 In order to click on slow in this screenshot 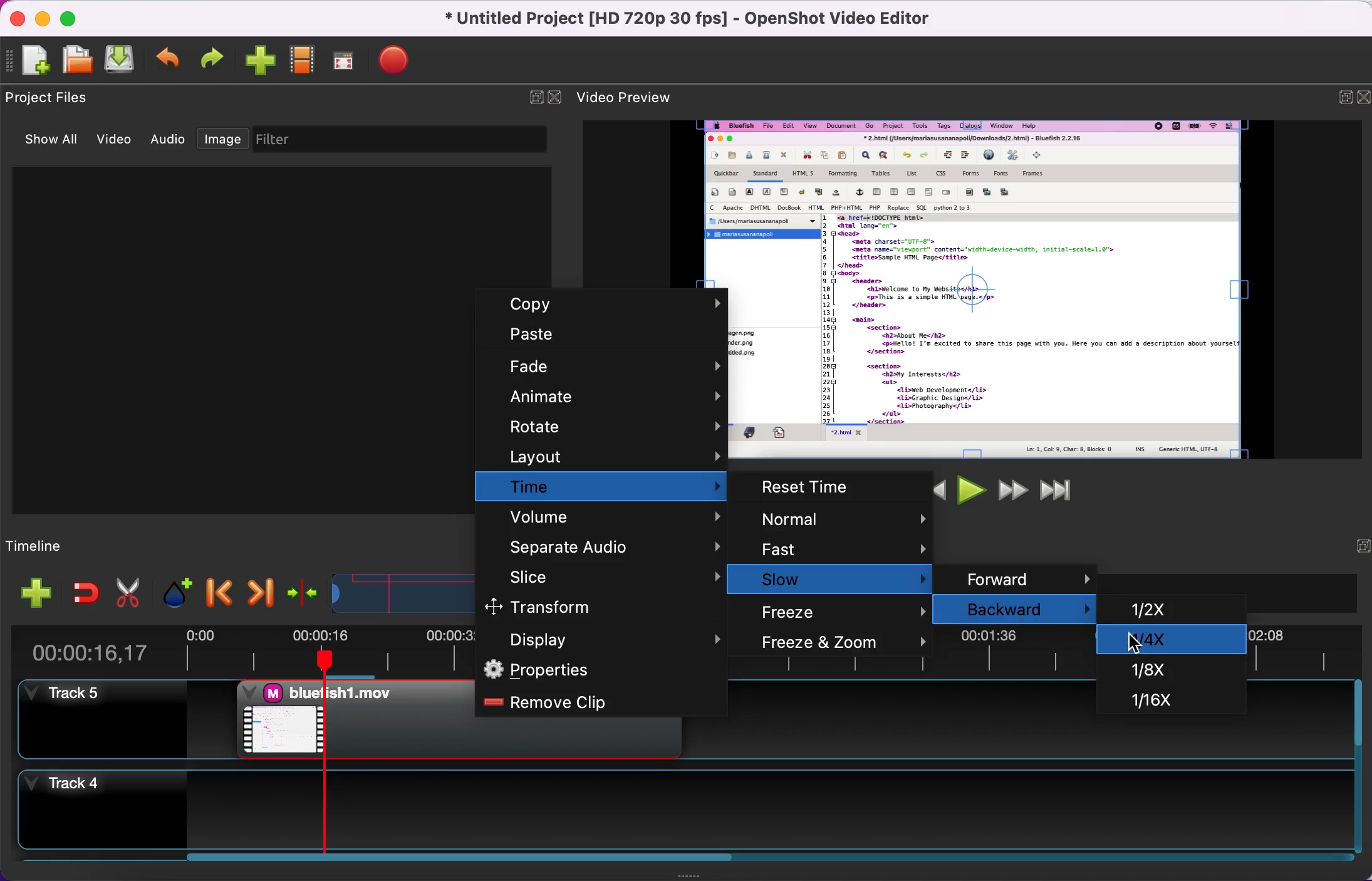, I will do `click(846, 579)`.